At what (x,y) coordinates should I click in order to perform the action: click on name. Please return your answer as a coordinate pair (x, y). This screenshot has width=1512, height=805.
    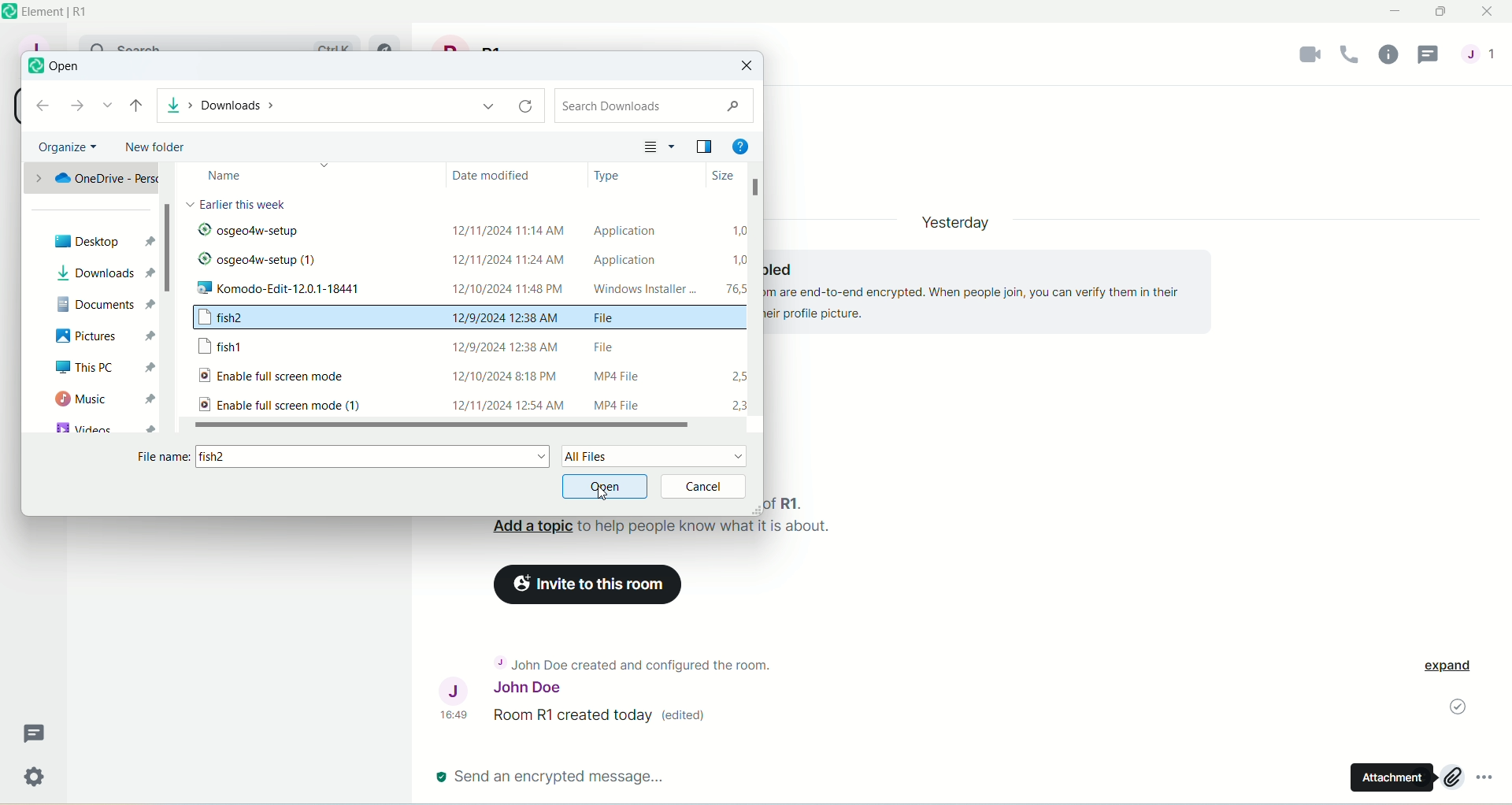
    Looking at the image, I should click on (261, 176).